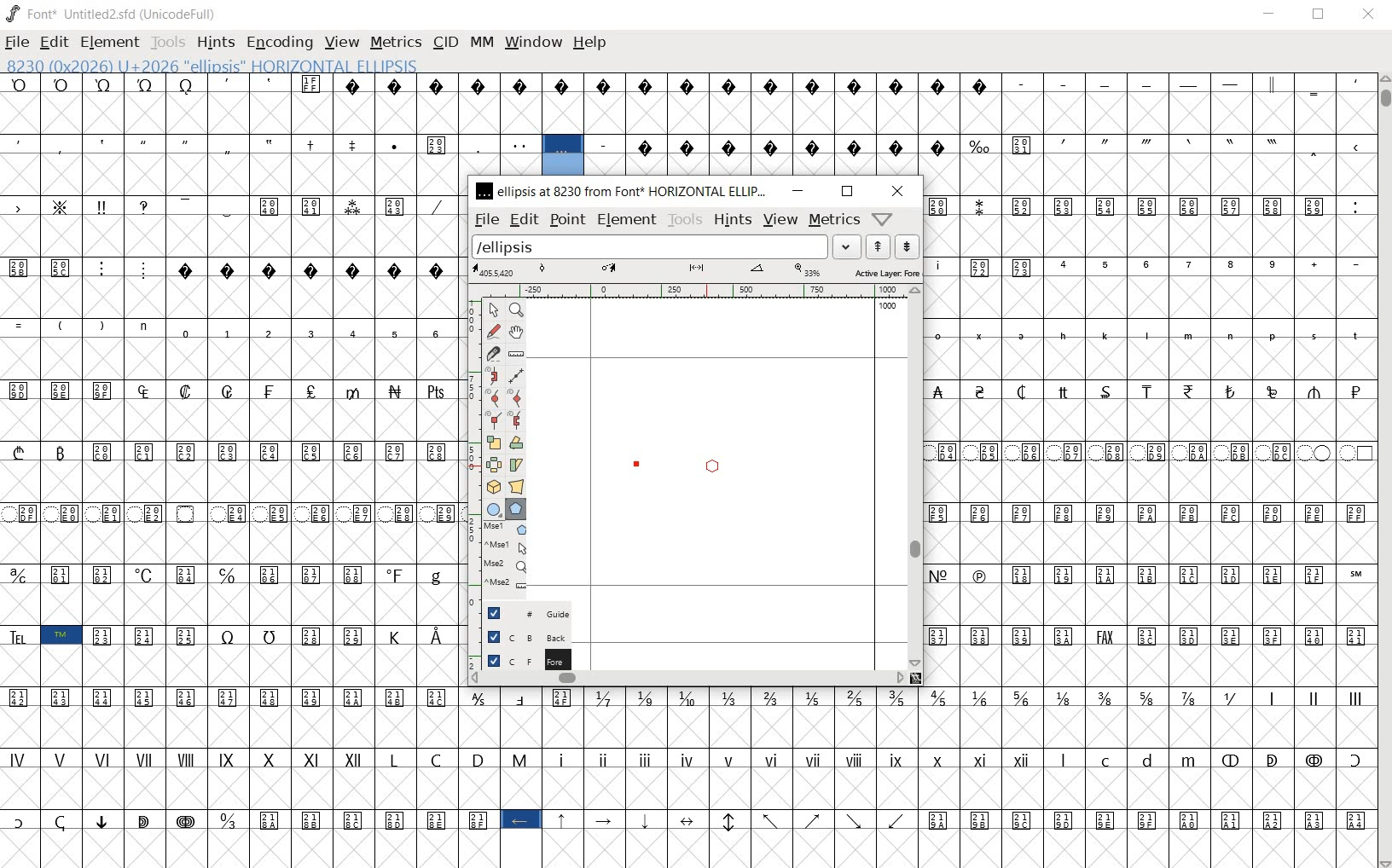 This screenshot has width=1392, height=868. Describe the element at coordinates (490, 508) in the screenshot. I see `rectangle or ellipse` at that location.